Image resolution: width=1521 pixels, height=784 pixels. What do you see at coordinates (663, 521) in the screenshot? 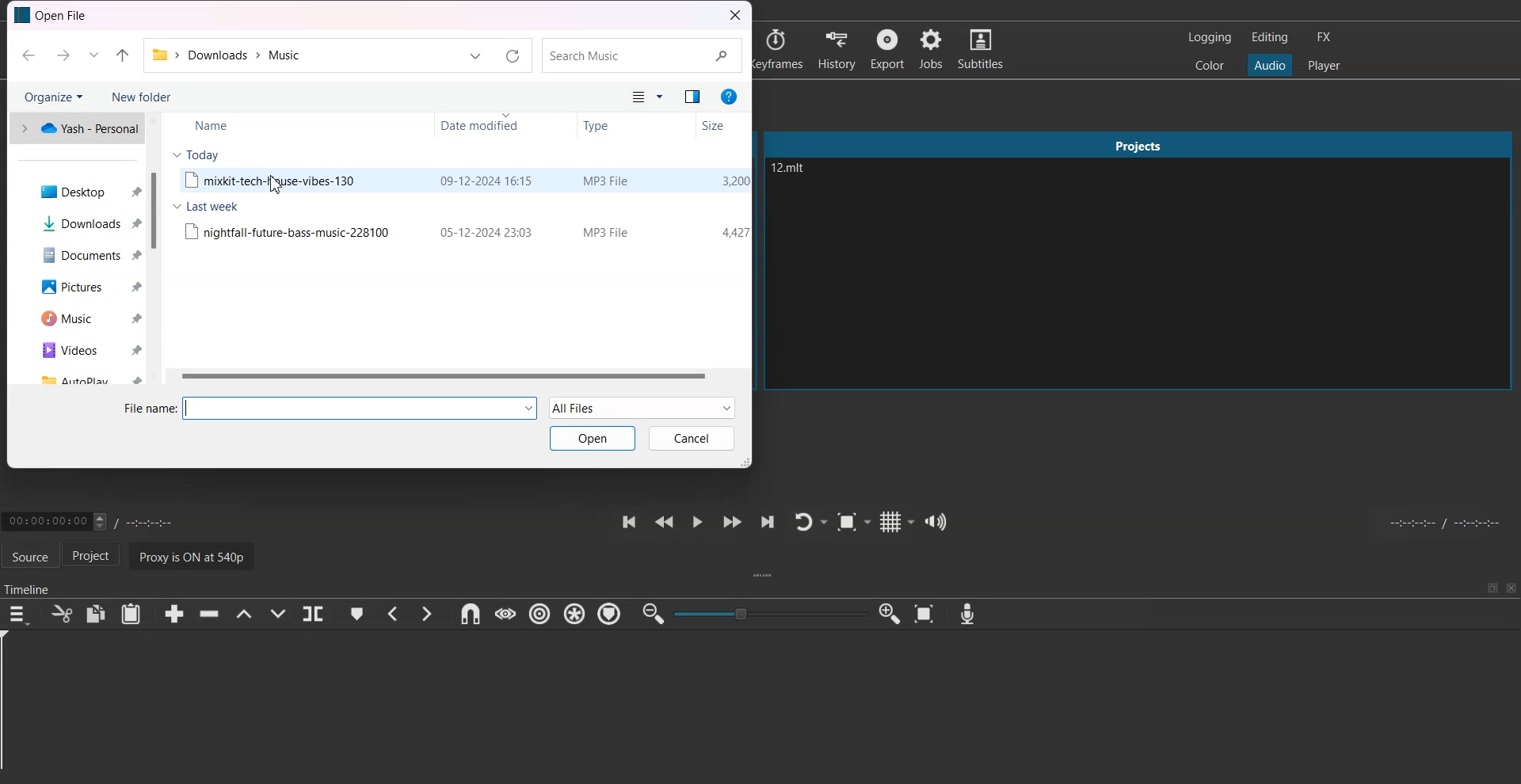
I see `Play quickly backwards` at bounding box center [663, 521].